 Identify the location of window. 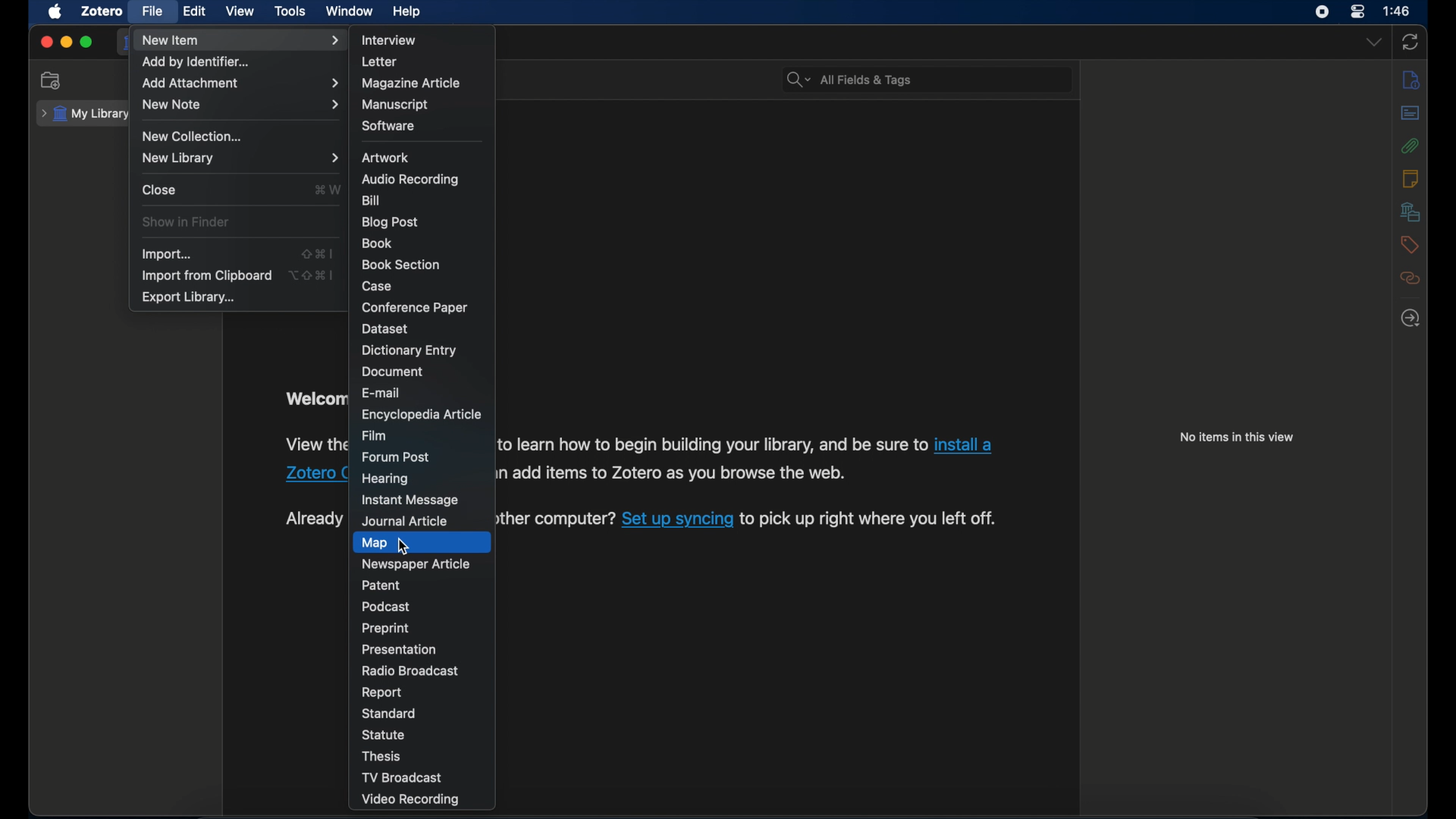
(350, 10).